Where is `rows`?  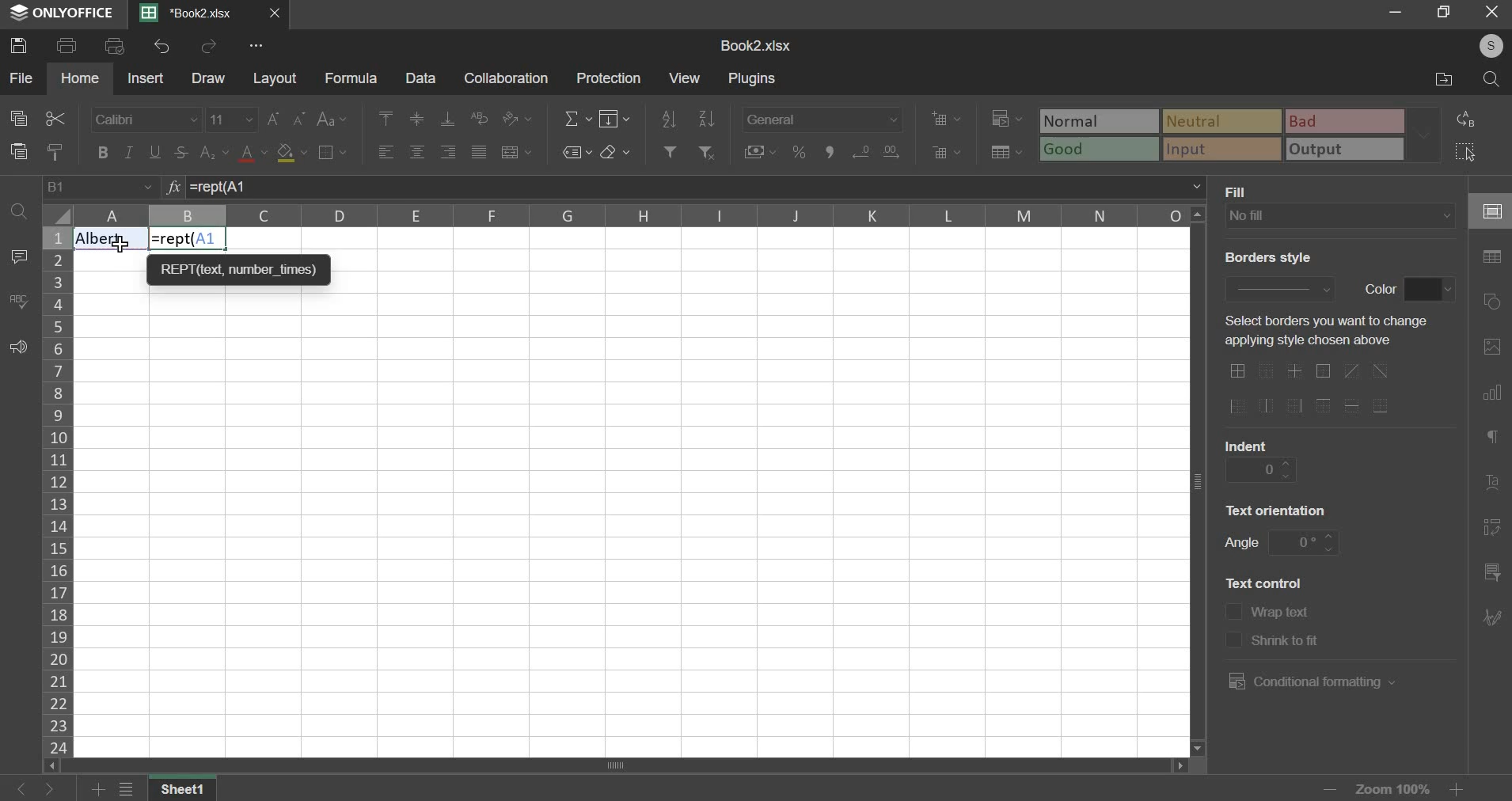 rows is located at coordinates (56, 489).